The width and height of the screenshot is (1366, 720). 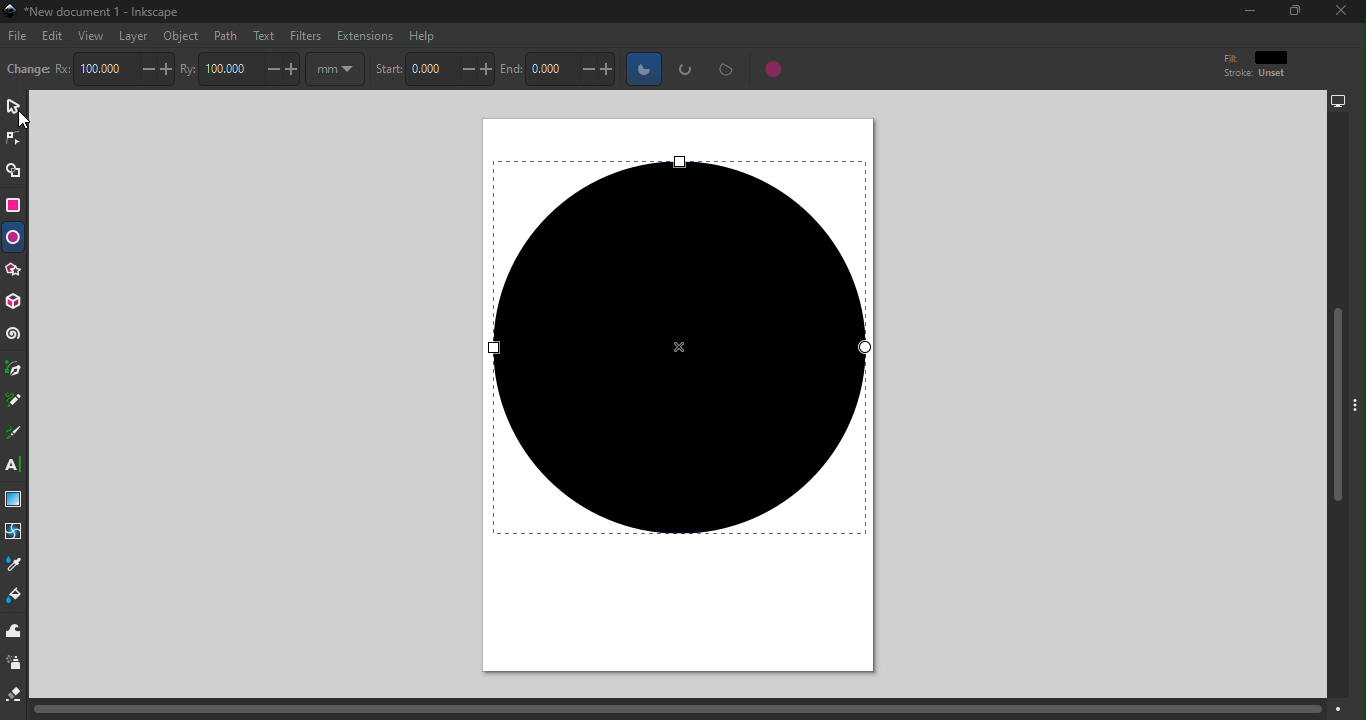 I want to click on Horizontal scroll bar, so click(x=690, y=708).